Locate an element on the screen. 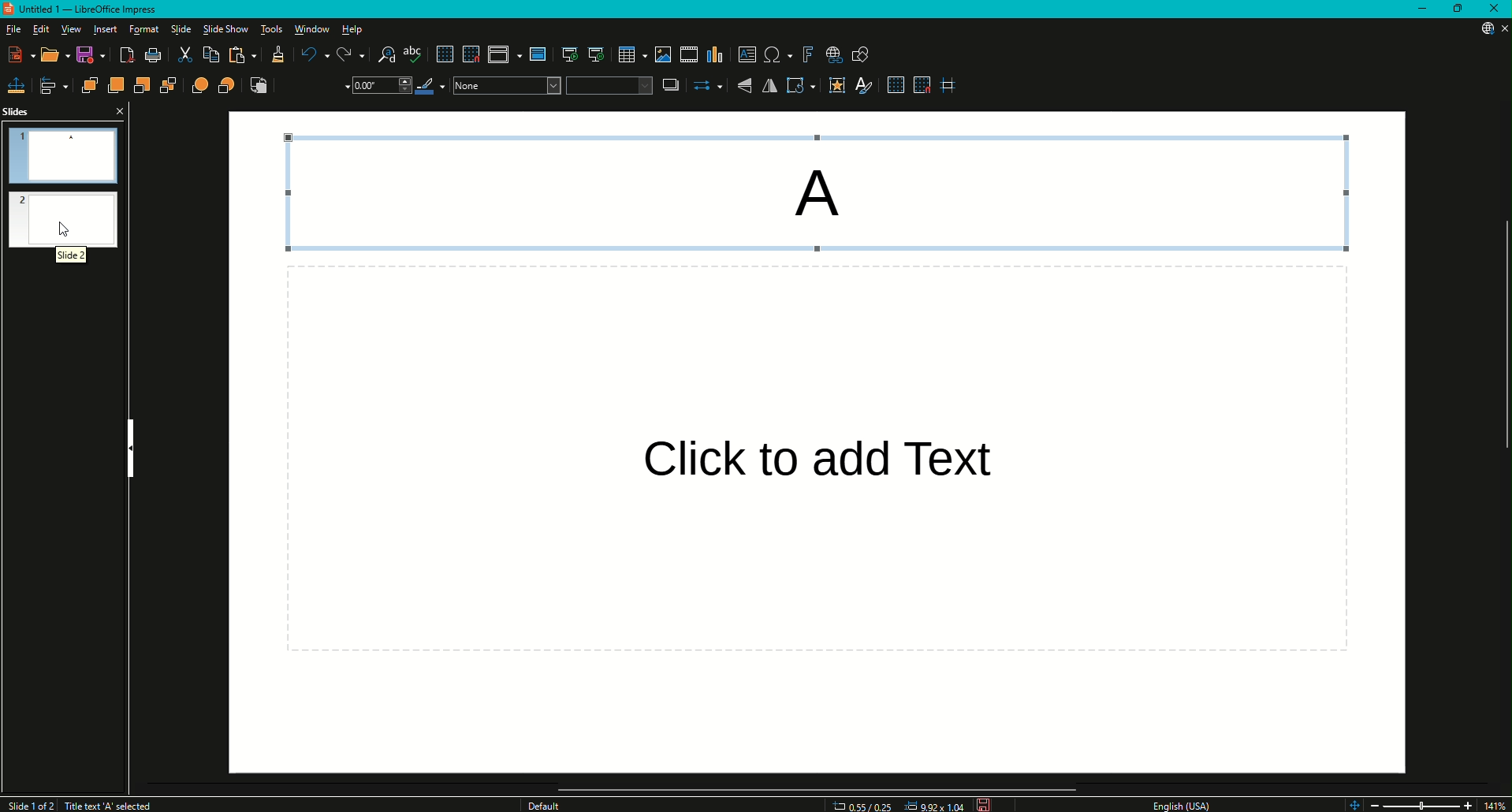 Image resolution: width=1512 pixels, height=812 pixels. Display views is located at coordinates (501, 54).